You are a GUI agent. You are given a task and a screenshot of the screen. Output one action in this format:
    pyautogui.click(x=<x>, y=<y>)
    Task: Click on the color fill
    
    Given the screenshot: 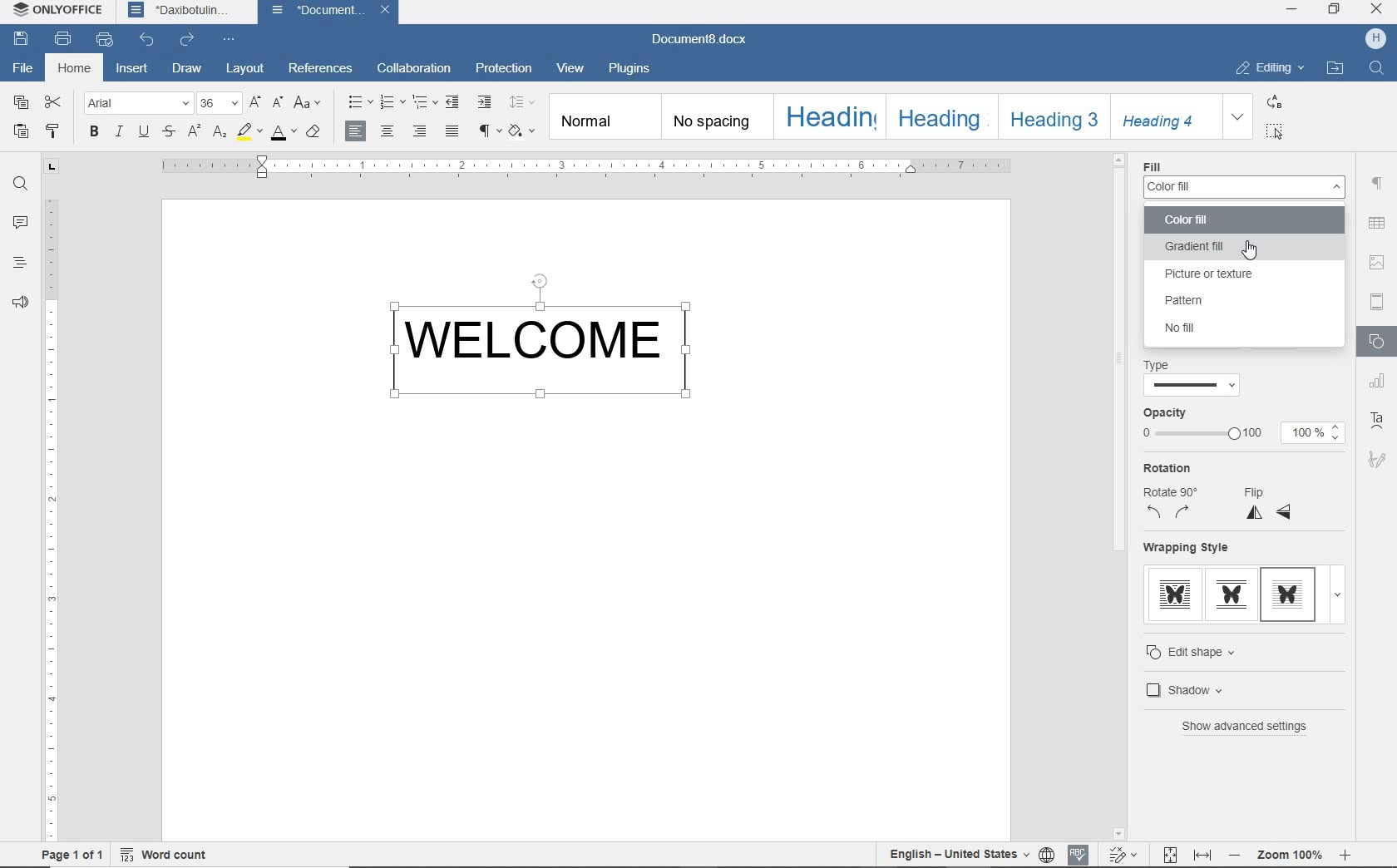 What is the action you would take?
    pyautogui.click(x=1220, y=221)
    